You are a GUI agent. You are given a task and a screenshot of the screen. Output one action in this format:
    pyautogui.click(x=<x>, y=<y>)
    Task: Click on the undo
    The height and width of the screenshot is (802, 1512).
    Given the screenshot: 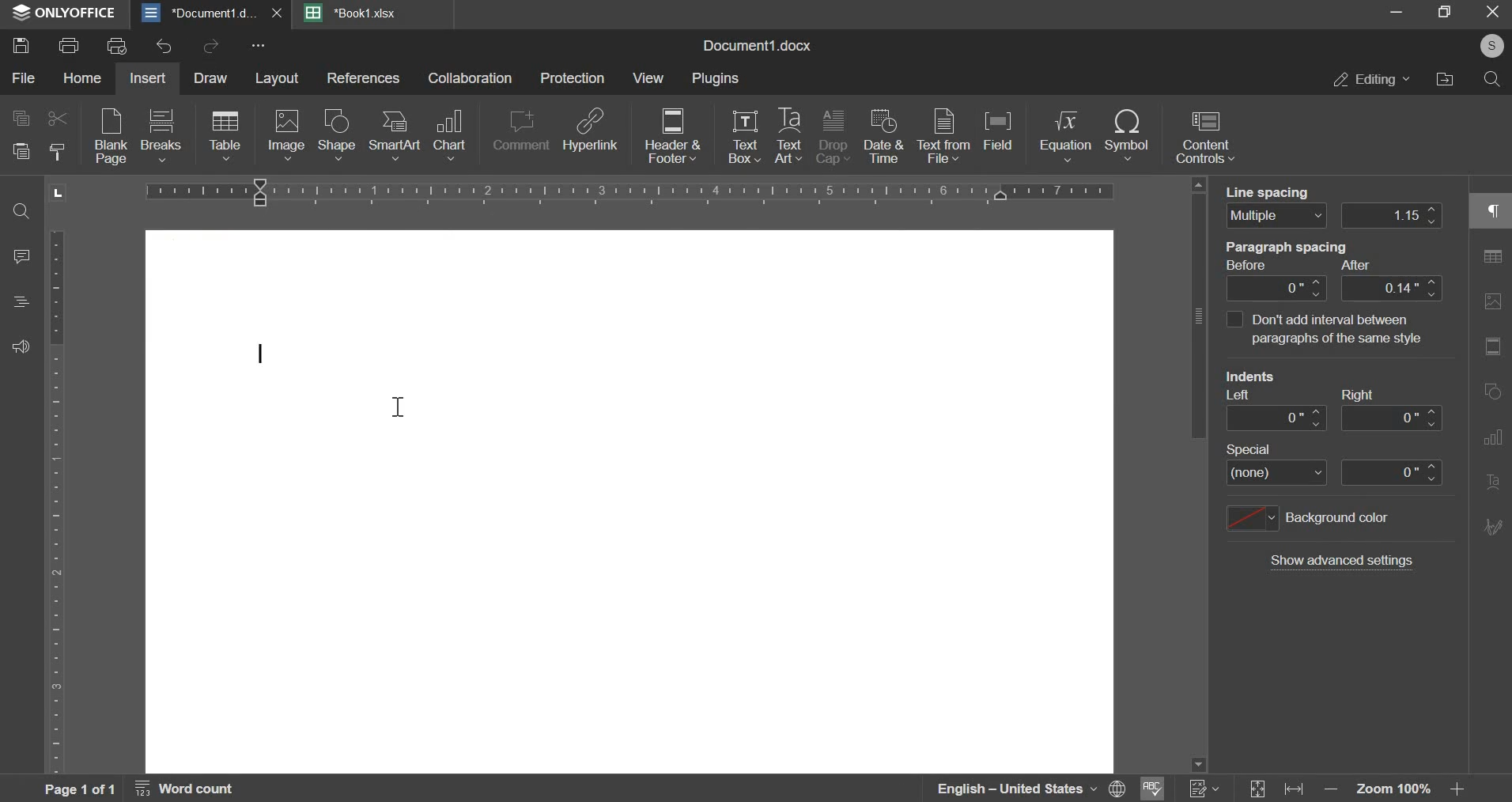 What is the action you would take?
    pyautogui.click(x=164, y=46)
    